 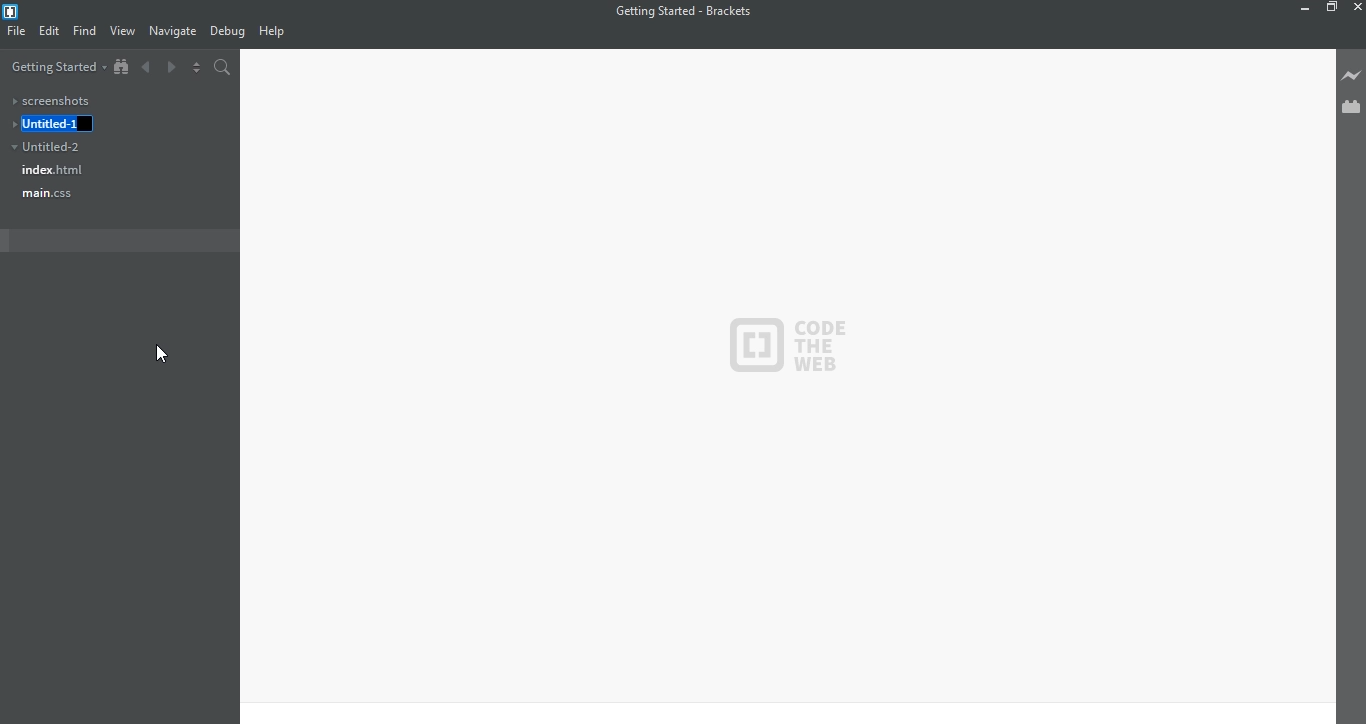 What do you see at coordinates (146, 68) in the screenshot?
I see `backward` at bounding box center [146, 68].